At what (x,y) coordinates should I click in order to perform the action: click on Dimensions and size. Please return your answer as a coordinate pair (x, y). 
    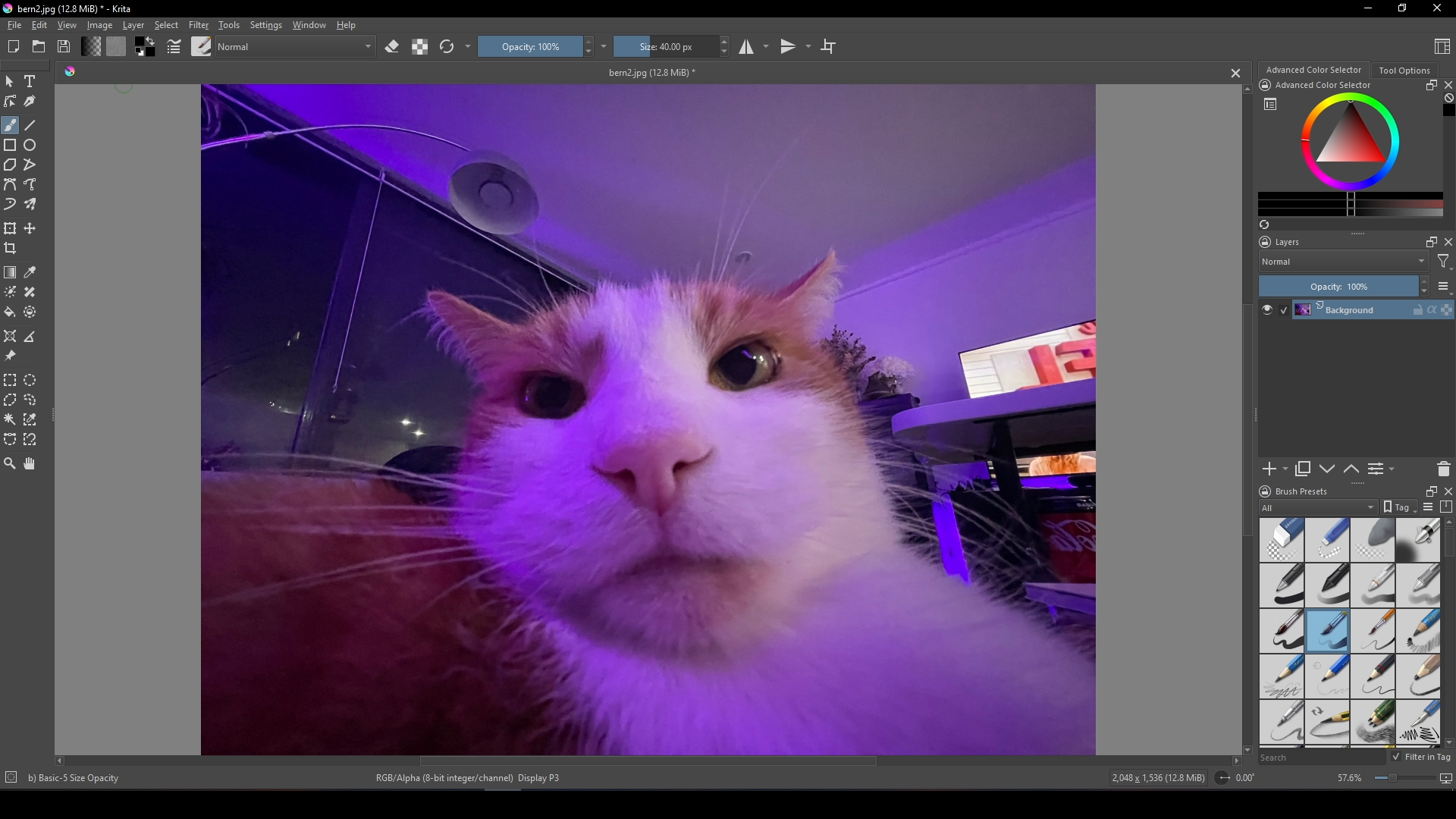
    Looking at the image, I should click on (1162, 778).